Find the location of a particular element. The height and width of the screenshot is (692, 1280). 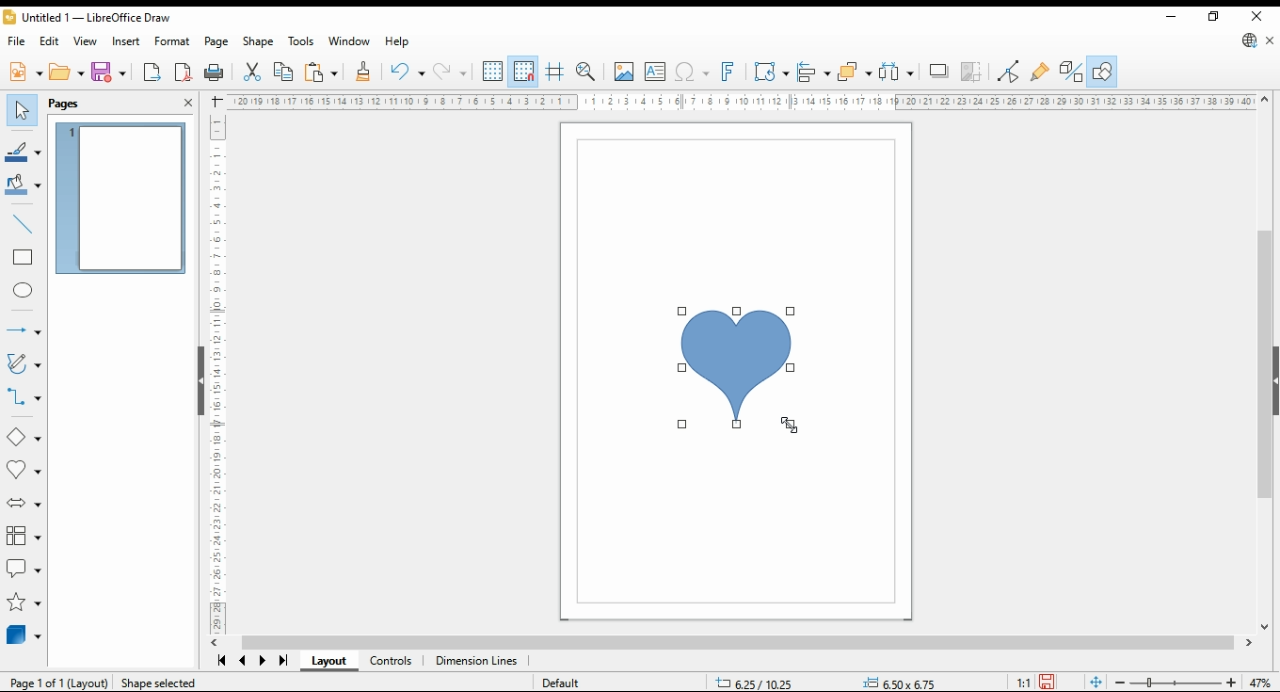

controls is located at coordinates (392, 663).